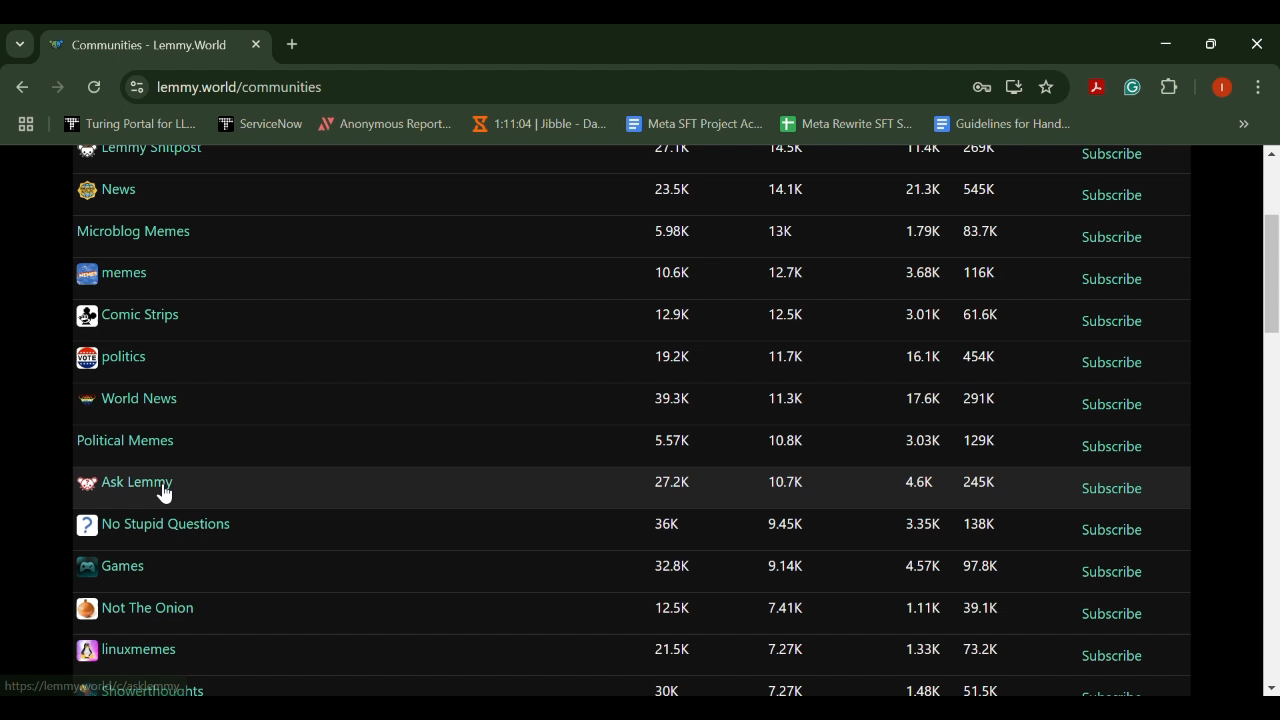  Describe the element at coordinates (980, 149) in the screenshot. I see `269K` at that location.